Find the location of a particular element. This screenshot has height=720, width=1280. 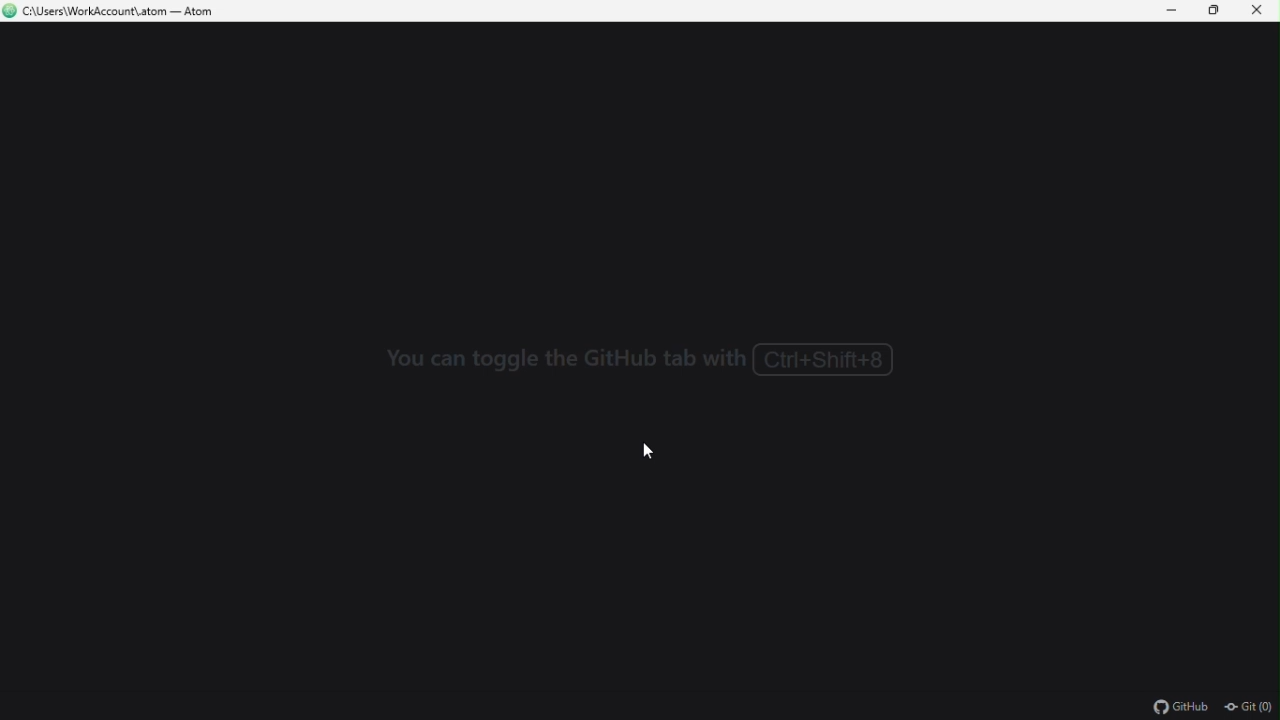

minimize is located at coordinates (1173, 11).